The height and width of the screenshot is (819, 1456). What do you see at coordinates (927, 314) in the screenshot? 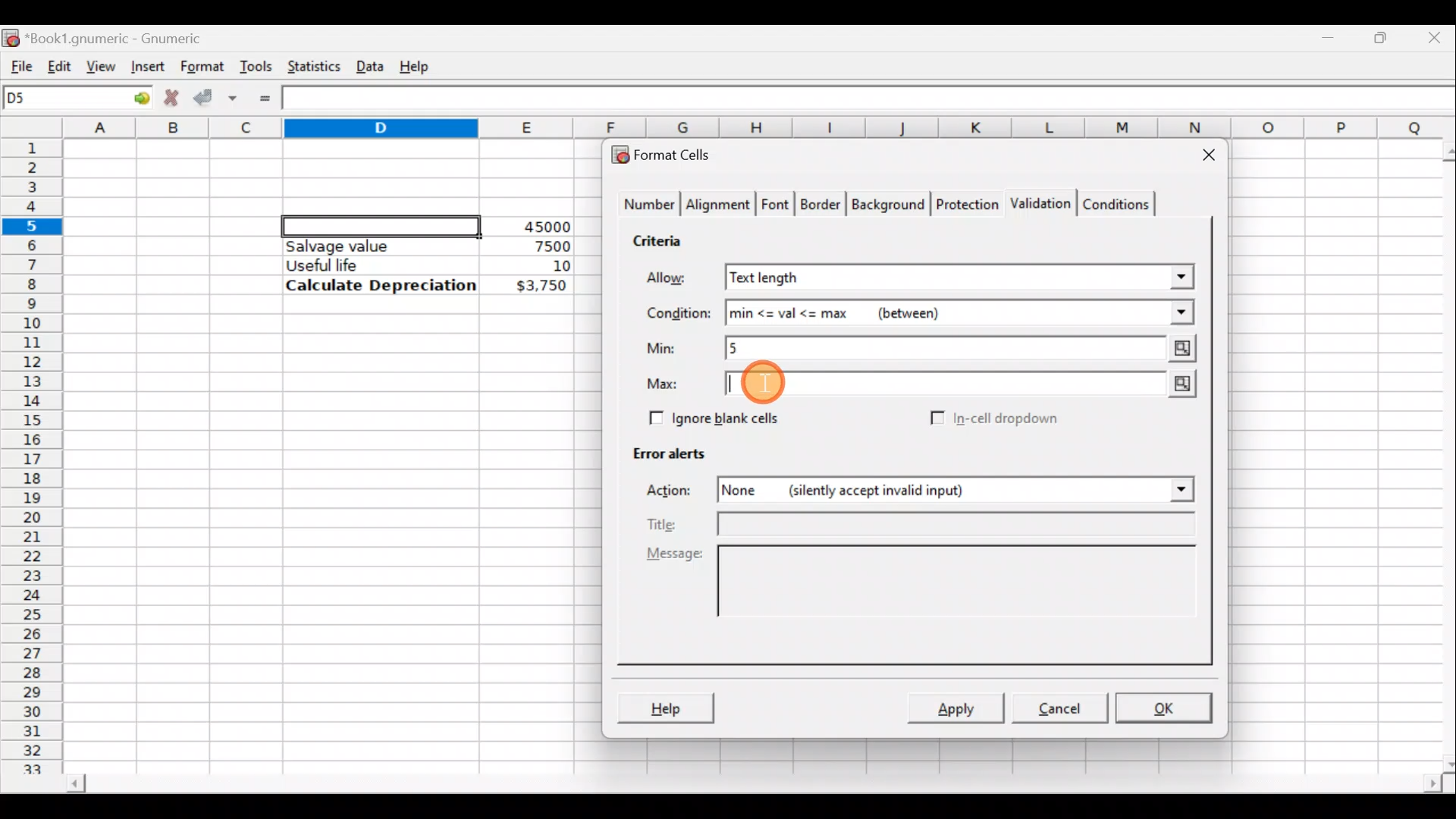
I see `min<=val<=max (between)` at bounding box center [927, 314].